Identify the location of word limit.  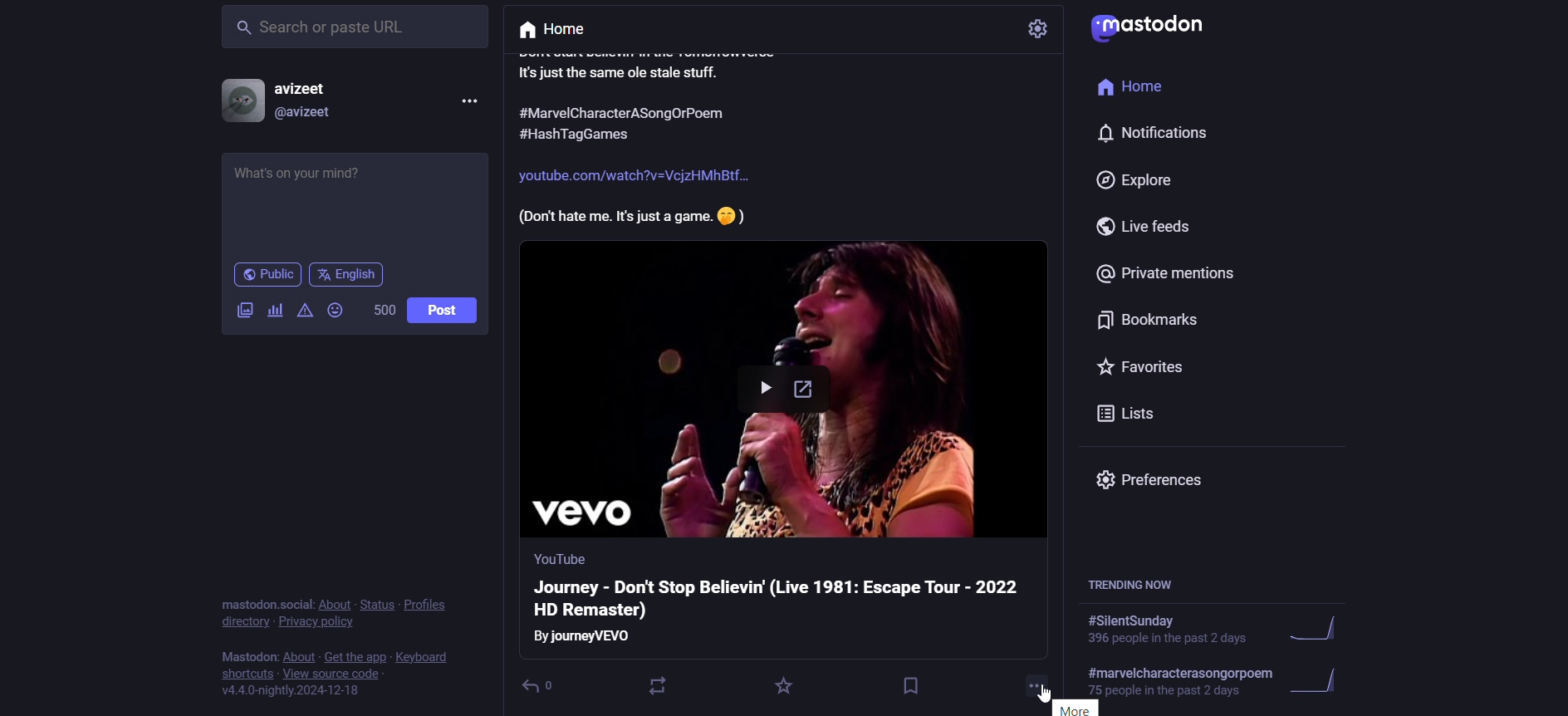
(384, 313).